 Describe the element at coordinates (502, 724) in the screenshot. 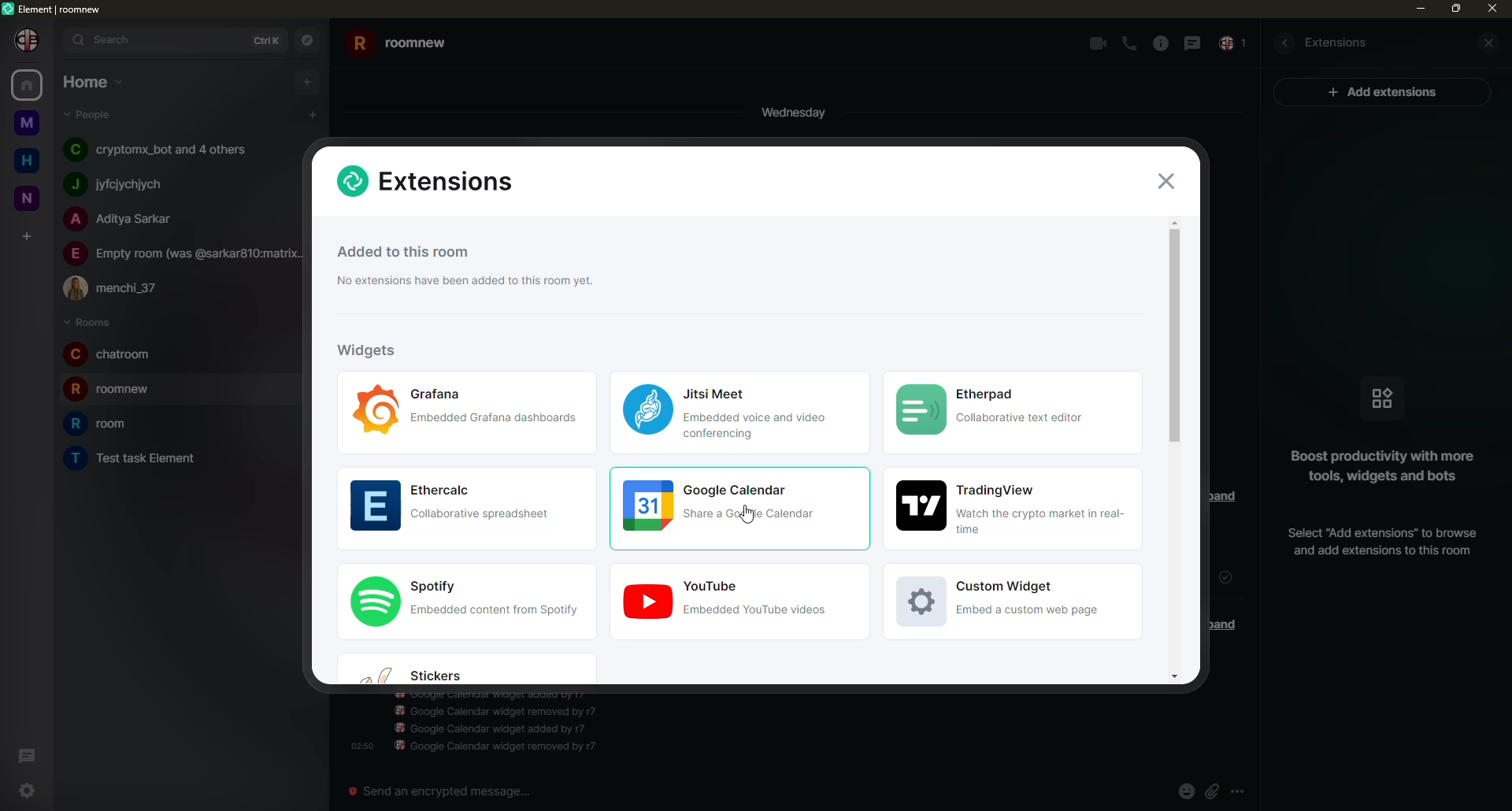

I see `info` at that location.